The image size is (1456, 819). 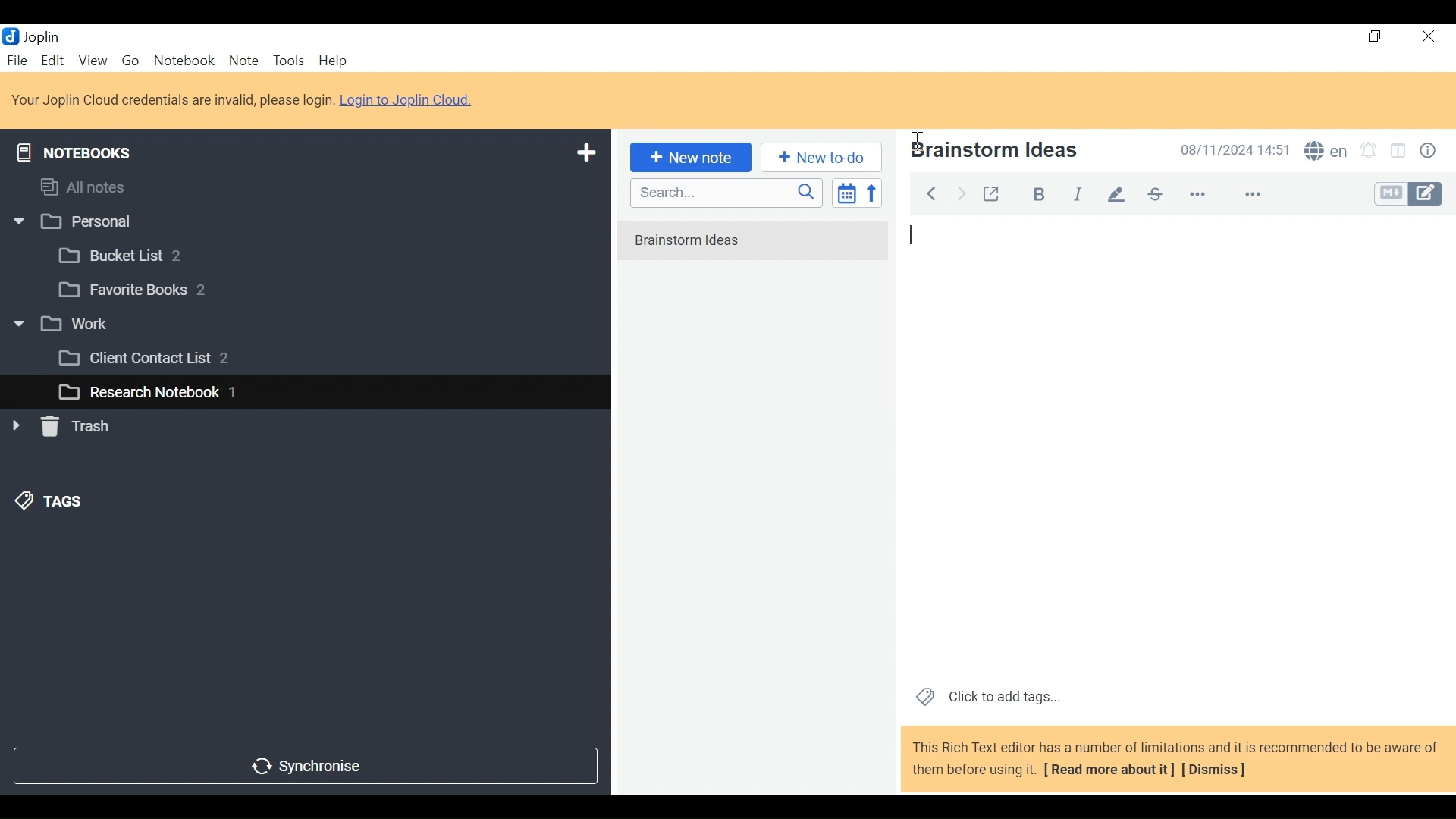 What do you see at coordinates (913, 234) in the screenshot?
I see `typing indication` at bounding box center [913, 234].